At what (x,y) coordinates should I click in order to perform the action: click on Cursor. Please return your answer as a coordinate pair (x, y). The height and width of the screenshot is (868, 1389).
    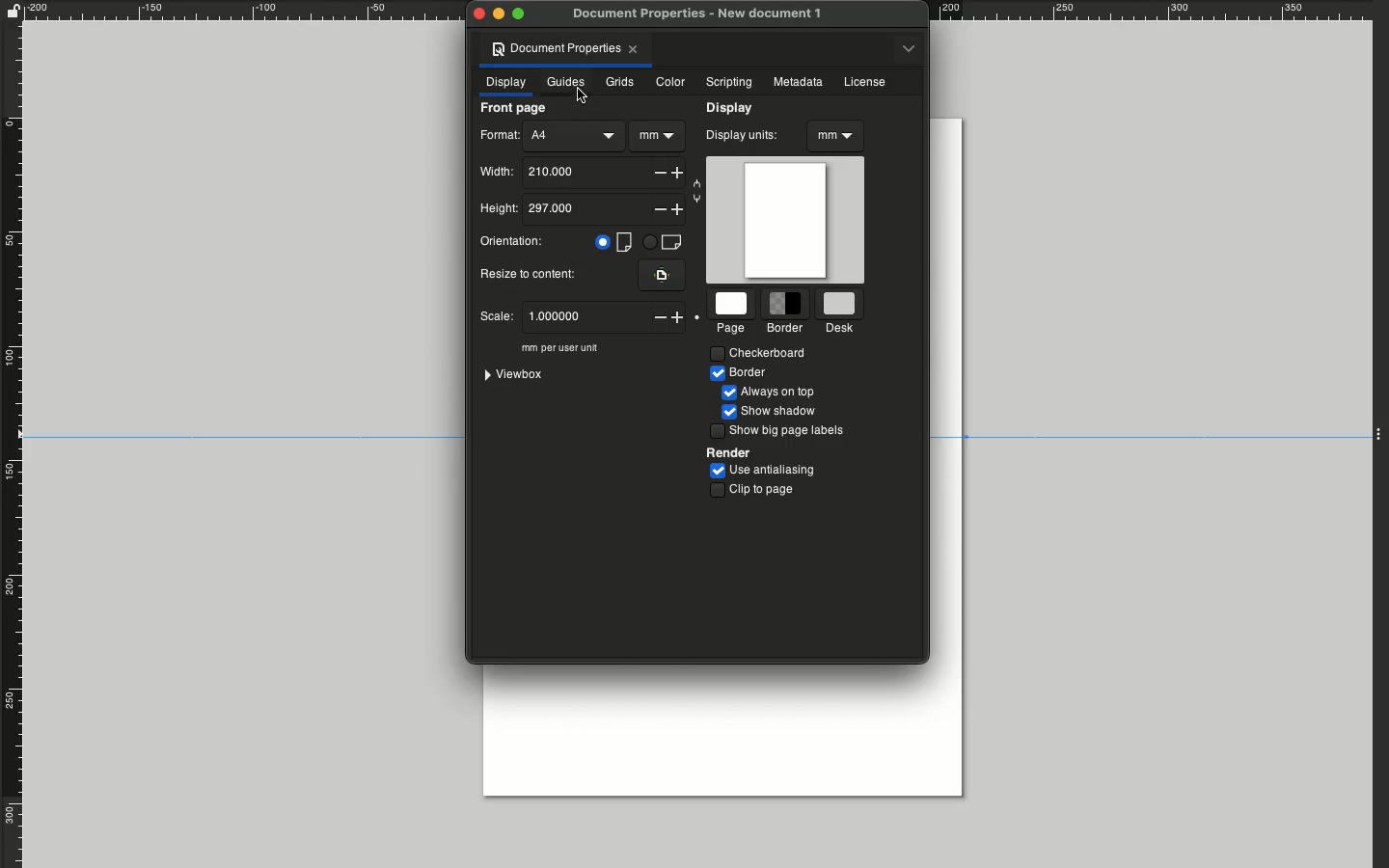
    Looking at the image, I should click on (584, 96).